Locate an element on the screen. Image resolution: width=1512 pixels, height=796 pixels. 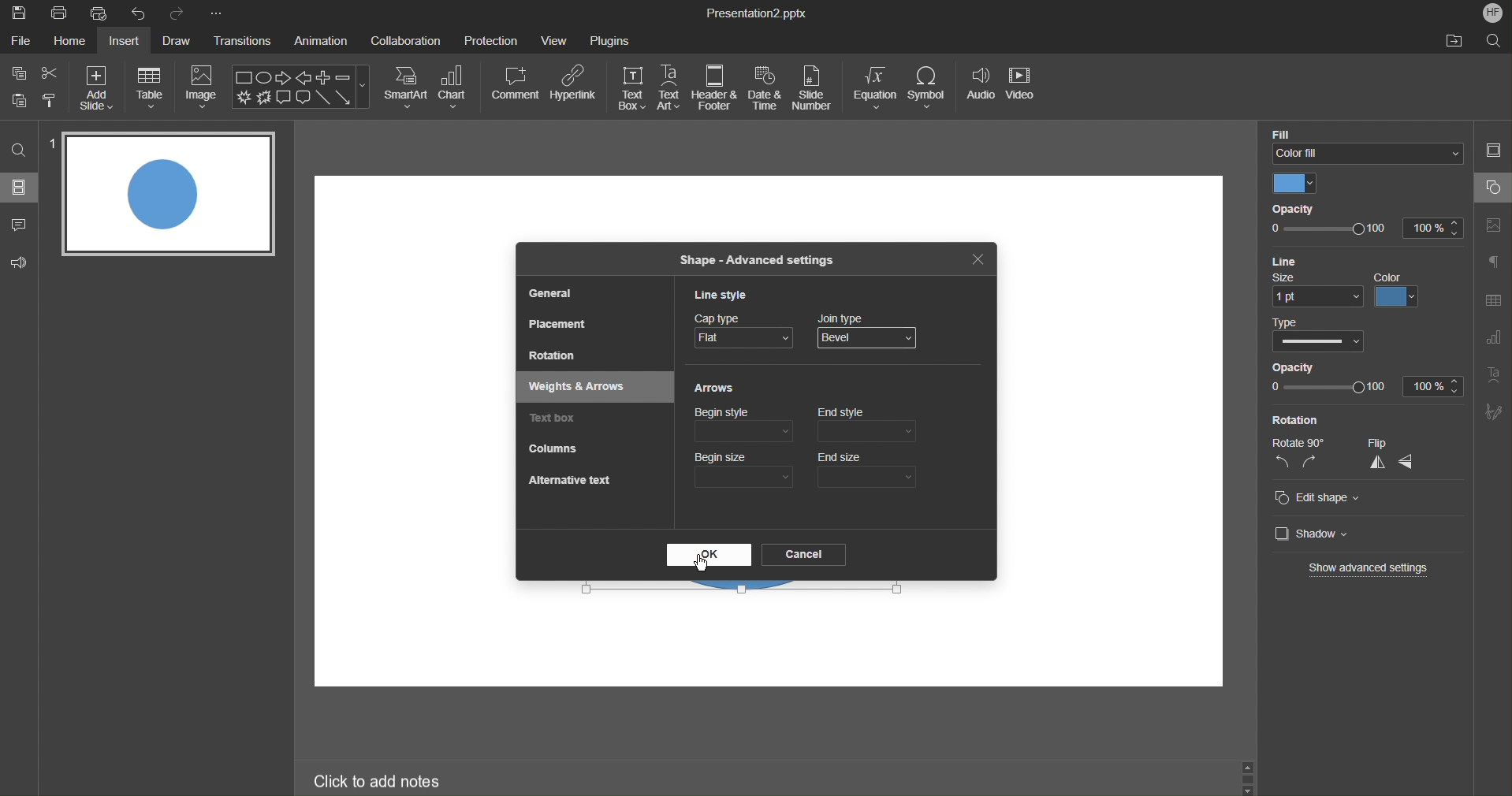
Audio is located at coordinates (979, 90).